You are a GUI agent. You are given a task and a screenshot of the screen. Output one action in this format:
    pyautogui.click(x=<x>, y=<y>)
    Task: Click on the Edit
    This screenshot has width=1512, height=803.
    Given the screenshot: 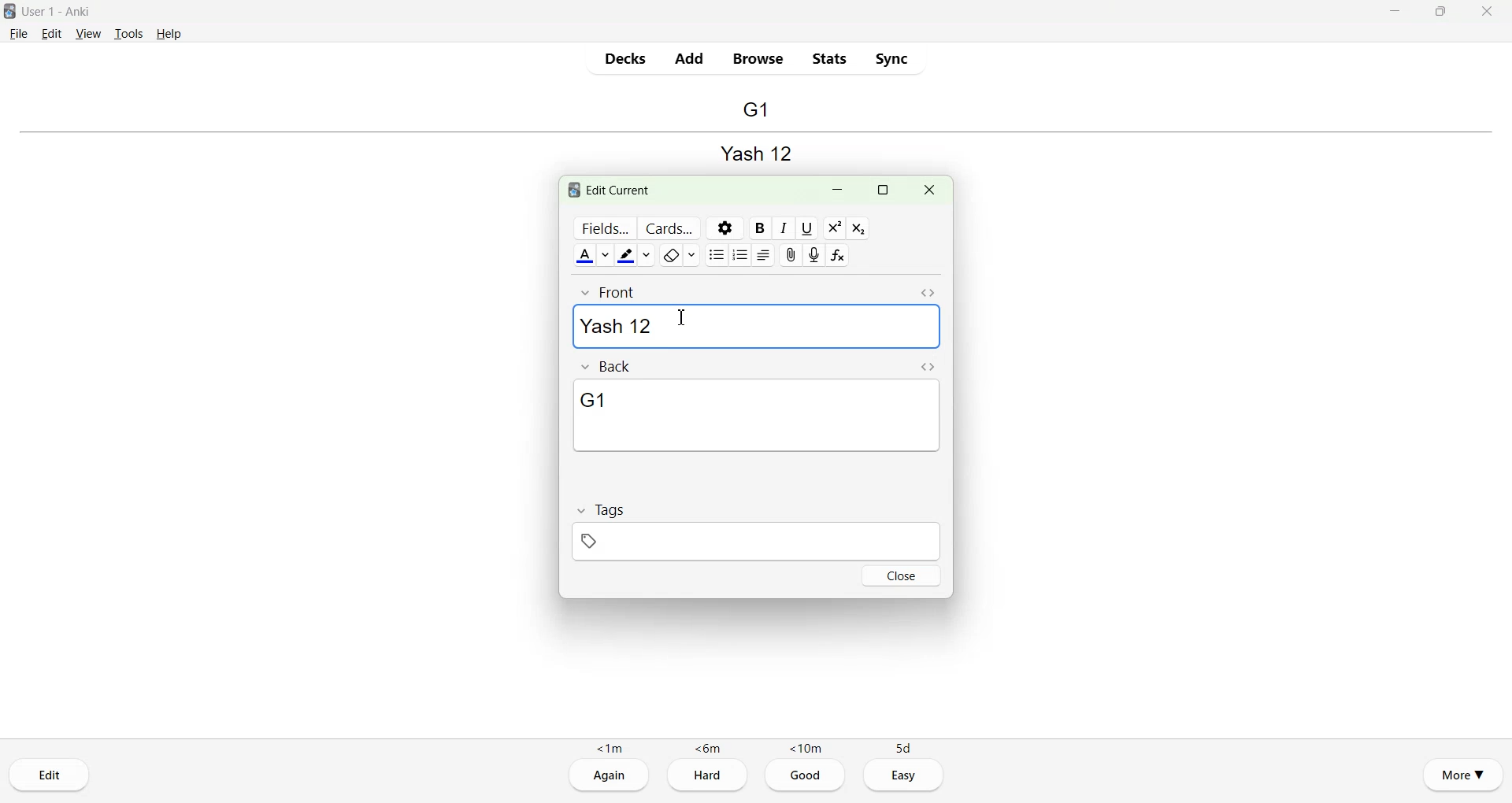 What is the action you would take?
    pyautogui.click(x=50, y=775)
    